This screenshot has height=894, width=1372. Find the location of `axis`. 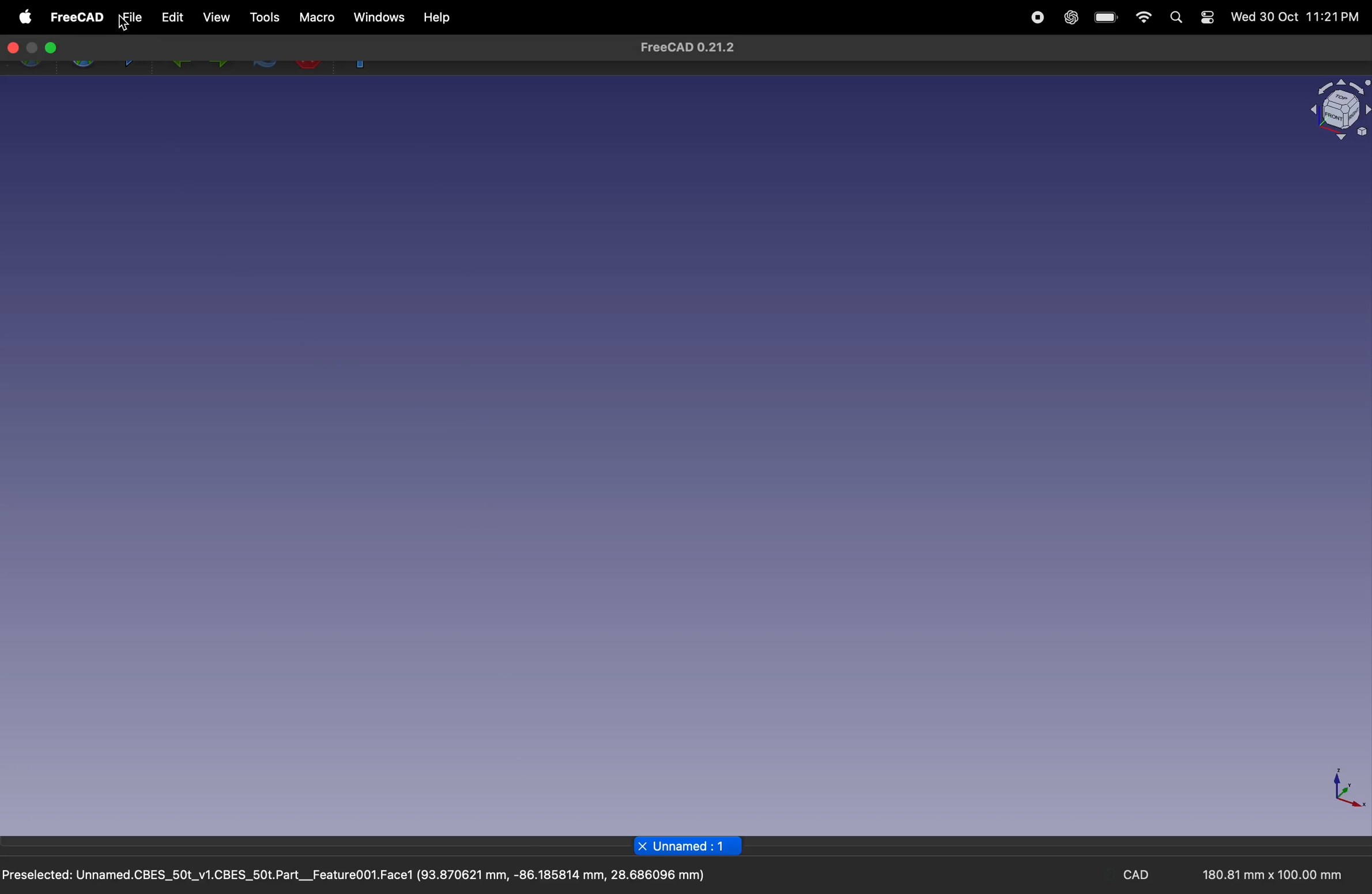

axis is located at coordinates (1342, 790).